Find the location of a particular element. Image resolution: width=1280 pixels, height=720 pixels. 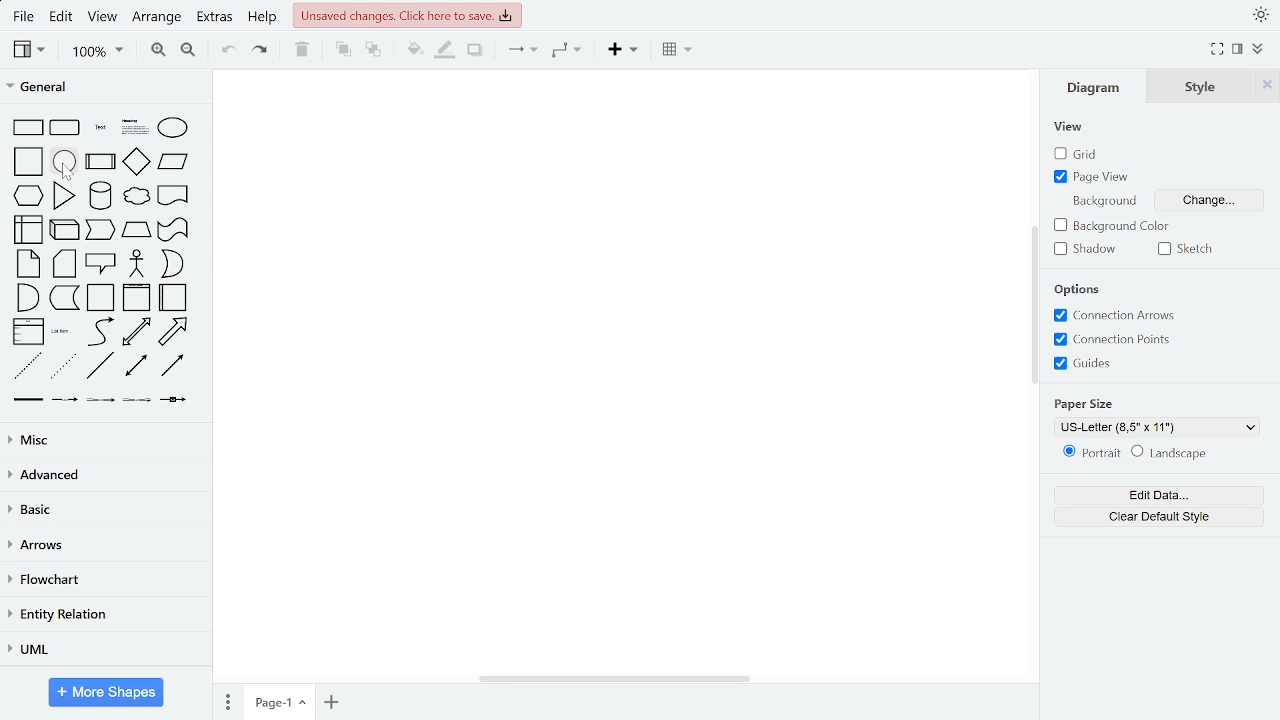

unsaved changes. Click here to save is located at coordinates (406, 15).